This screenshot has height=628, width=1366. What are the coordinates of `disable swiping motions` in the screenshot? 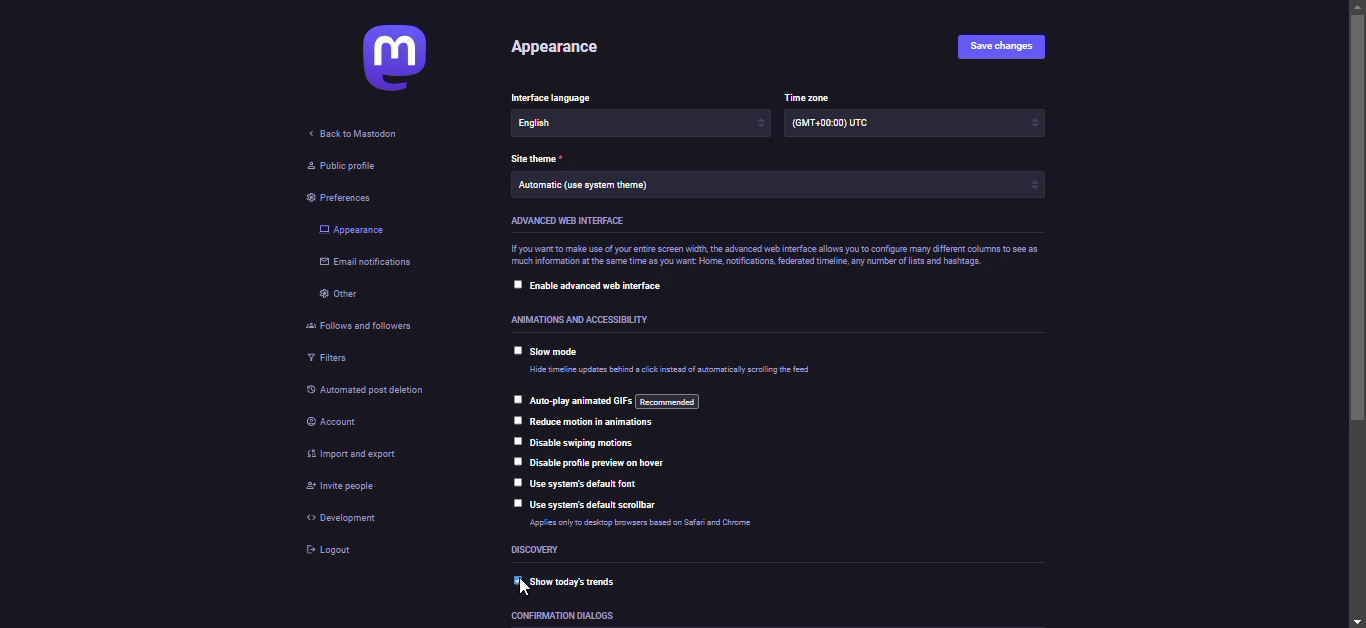 It's located at (585, 443).